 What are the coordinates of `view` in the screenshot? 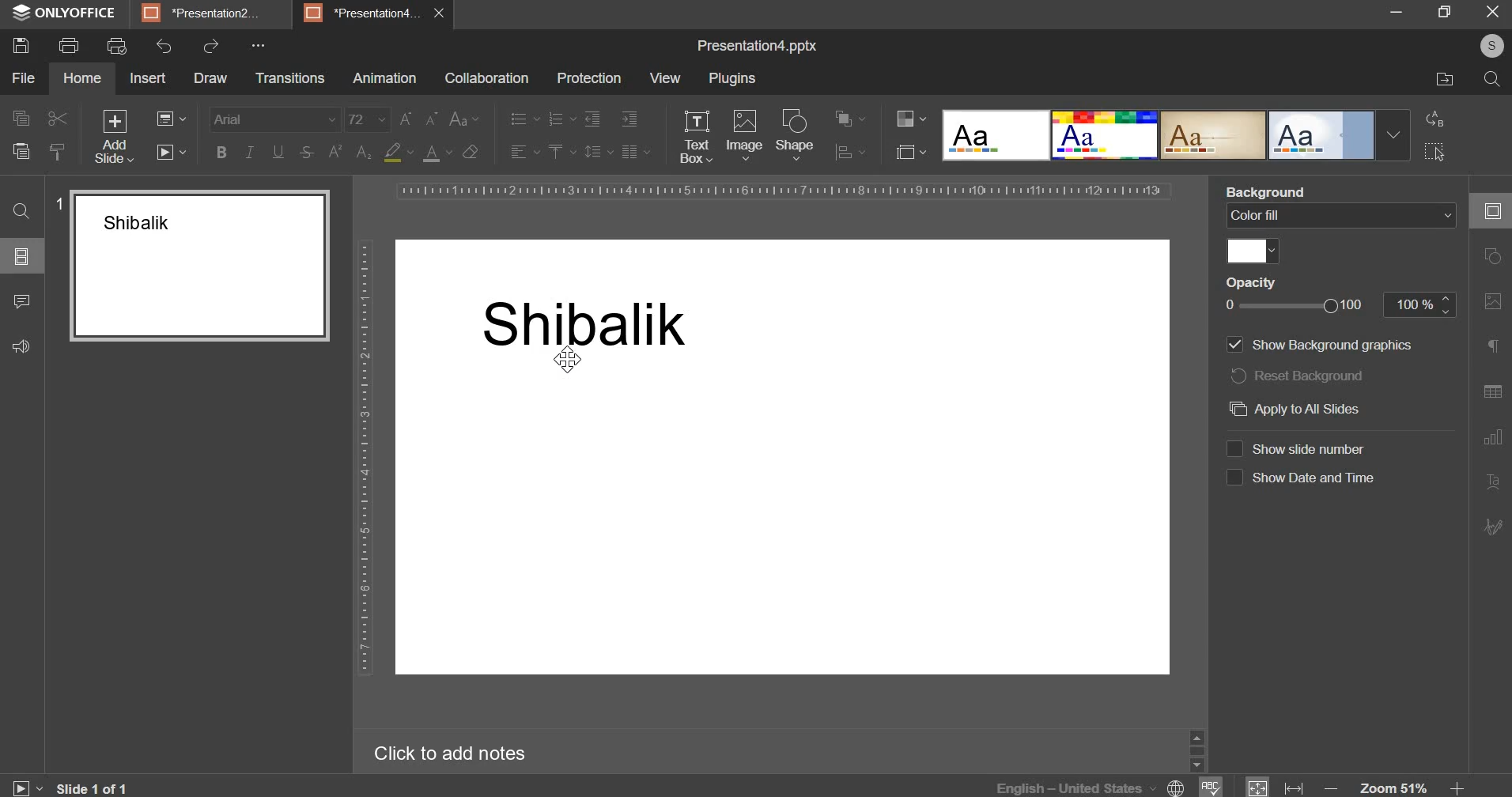 It's located at (663, 77).